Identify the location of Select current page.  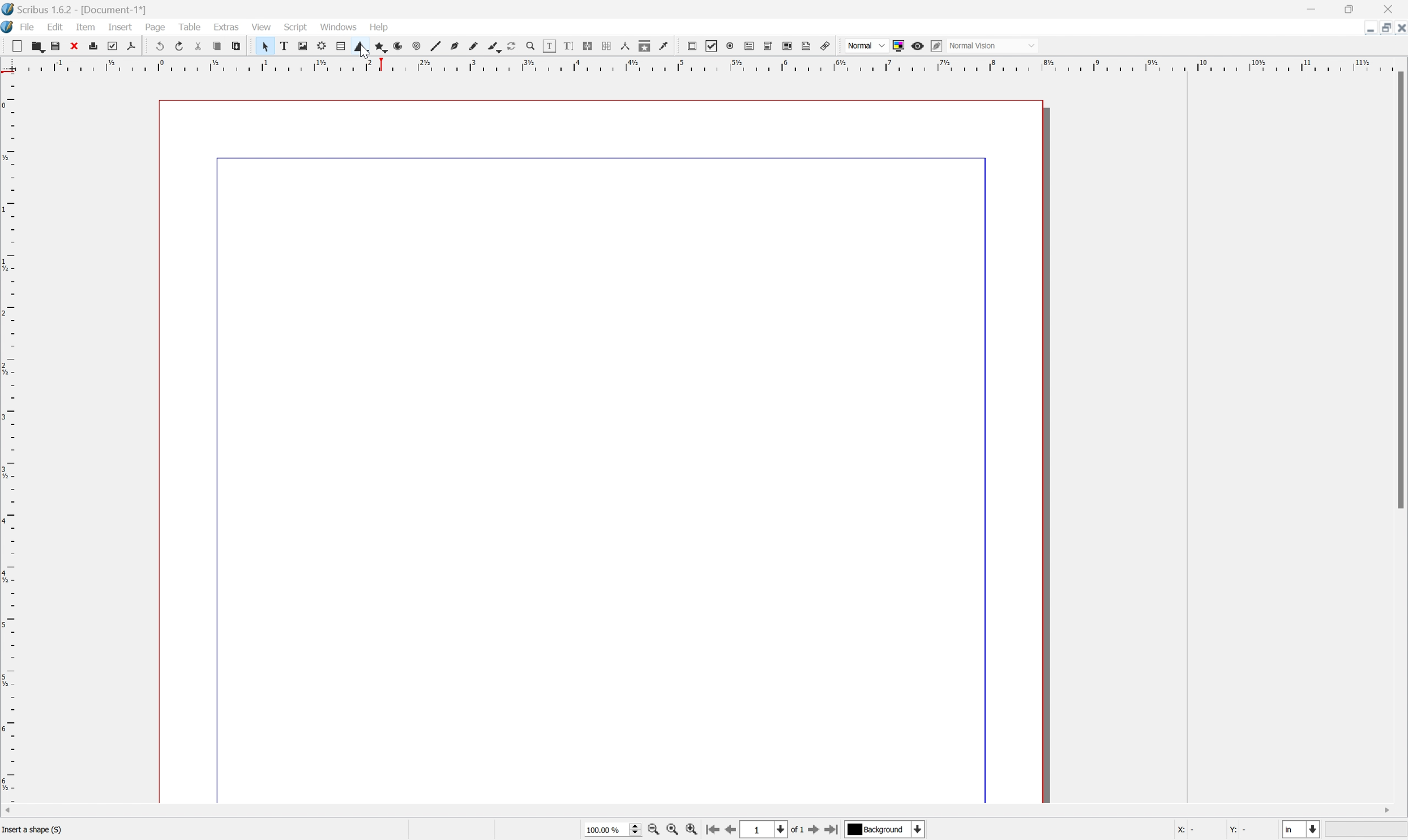
(777, 829).